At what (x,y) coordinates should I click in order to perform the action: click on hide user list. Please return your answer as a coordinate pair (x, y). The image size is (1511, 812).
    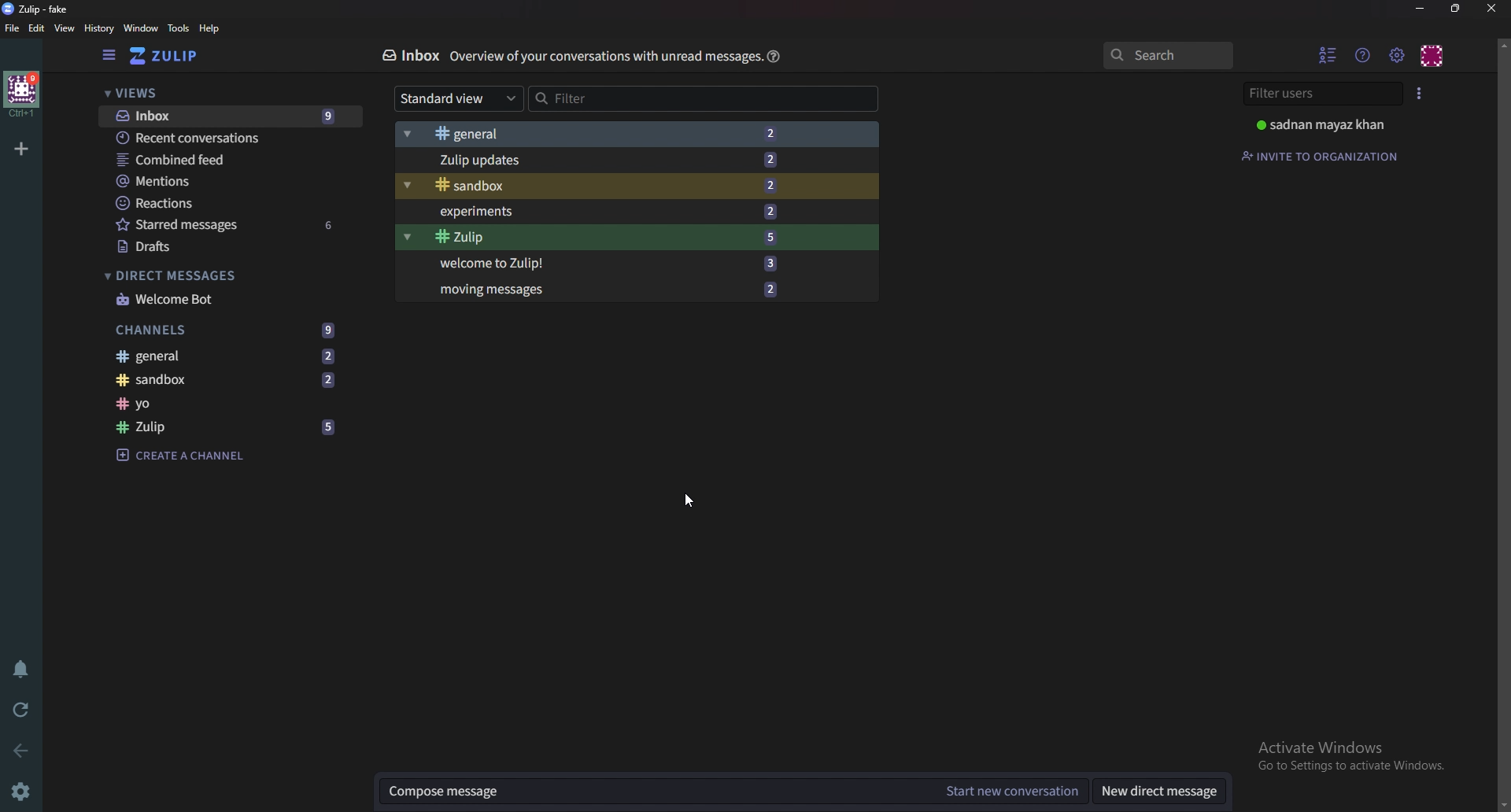
    Looking at the image, I should click on (1329, 55).